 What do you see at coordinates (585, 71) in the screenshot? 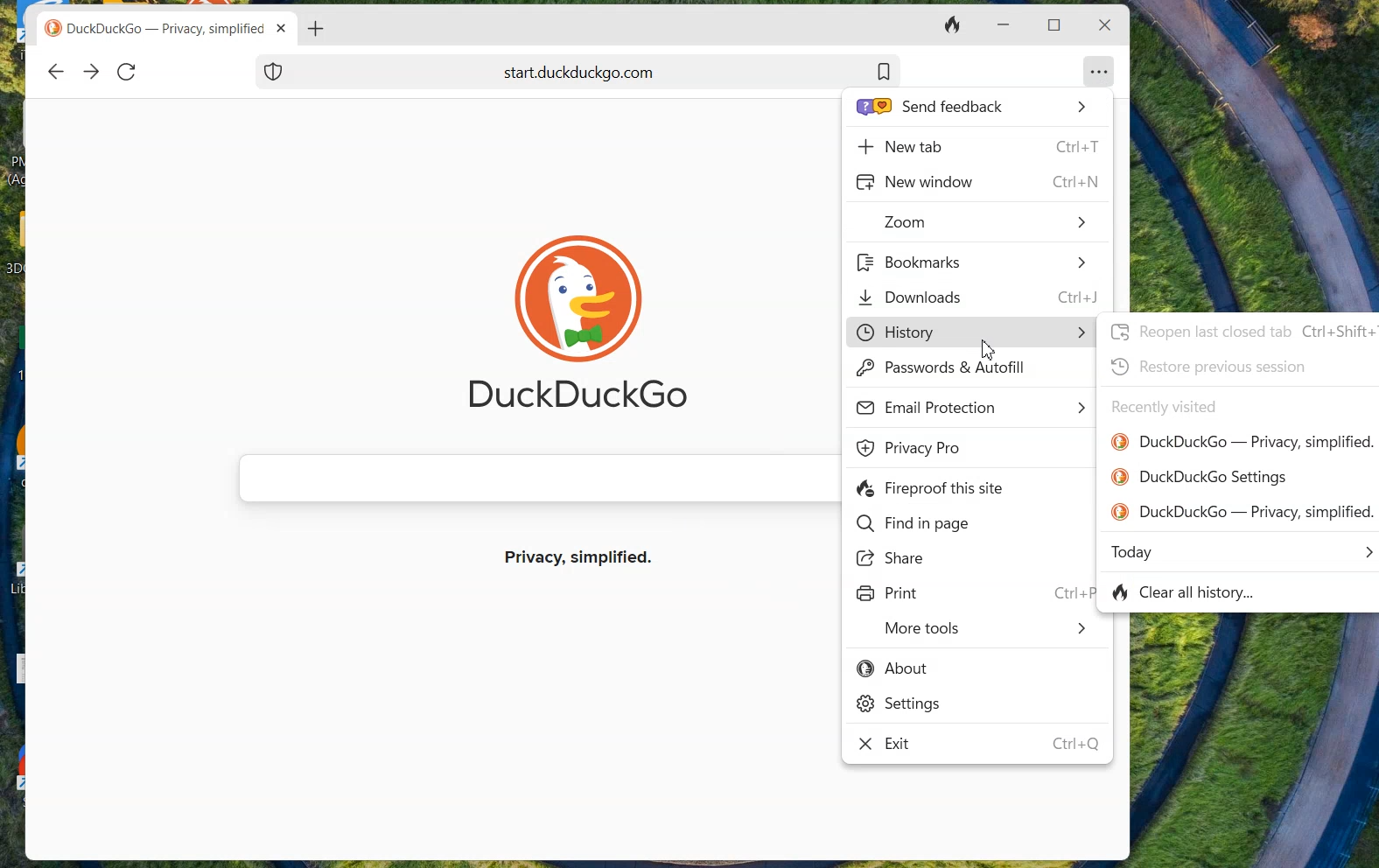
I see `start.duckduckgo.com` at bounding box center [585, 71].